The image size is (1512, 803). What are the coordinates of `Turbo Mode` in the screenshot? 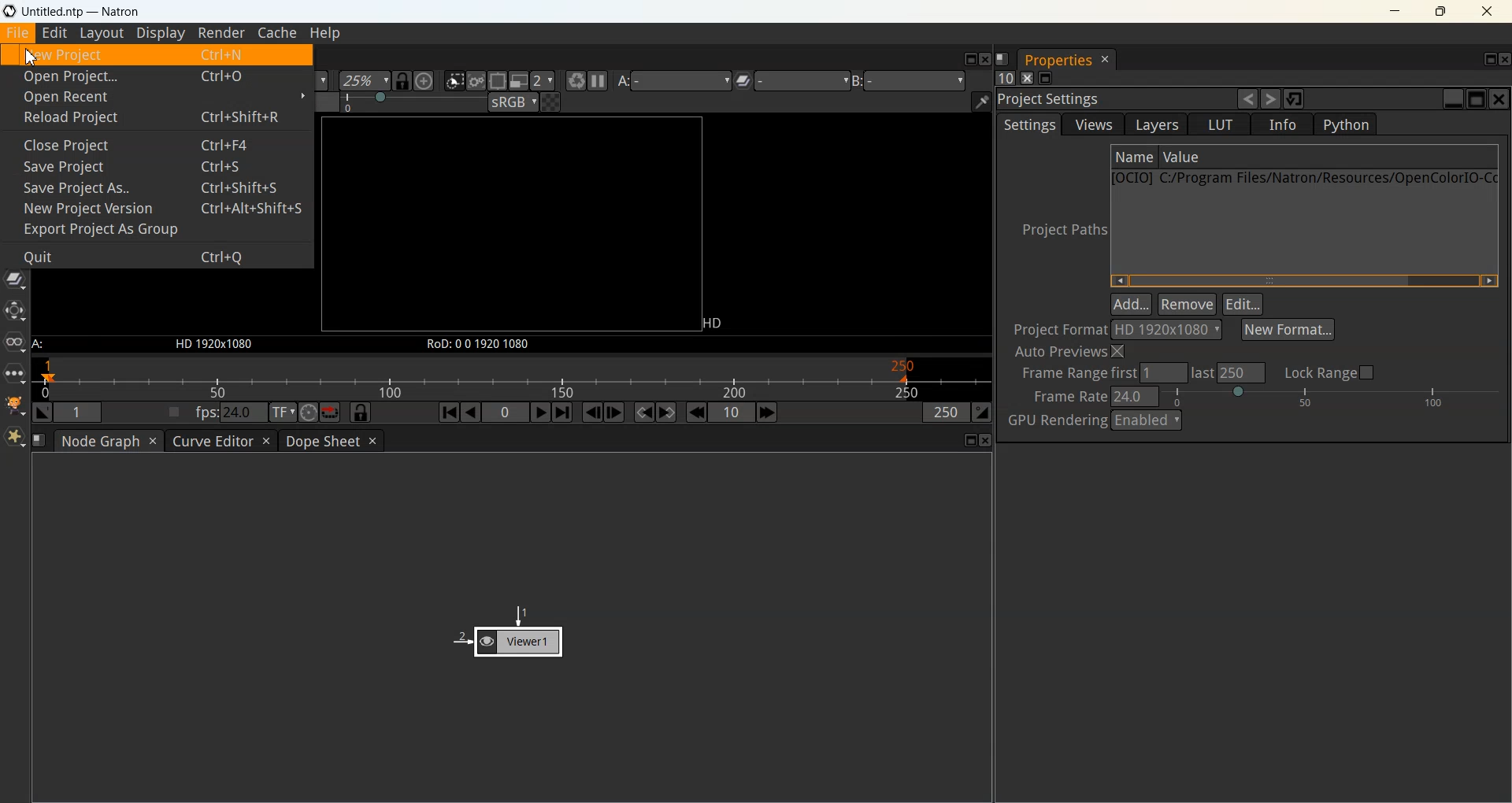 It's located at (308, 412).